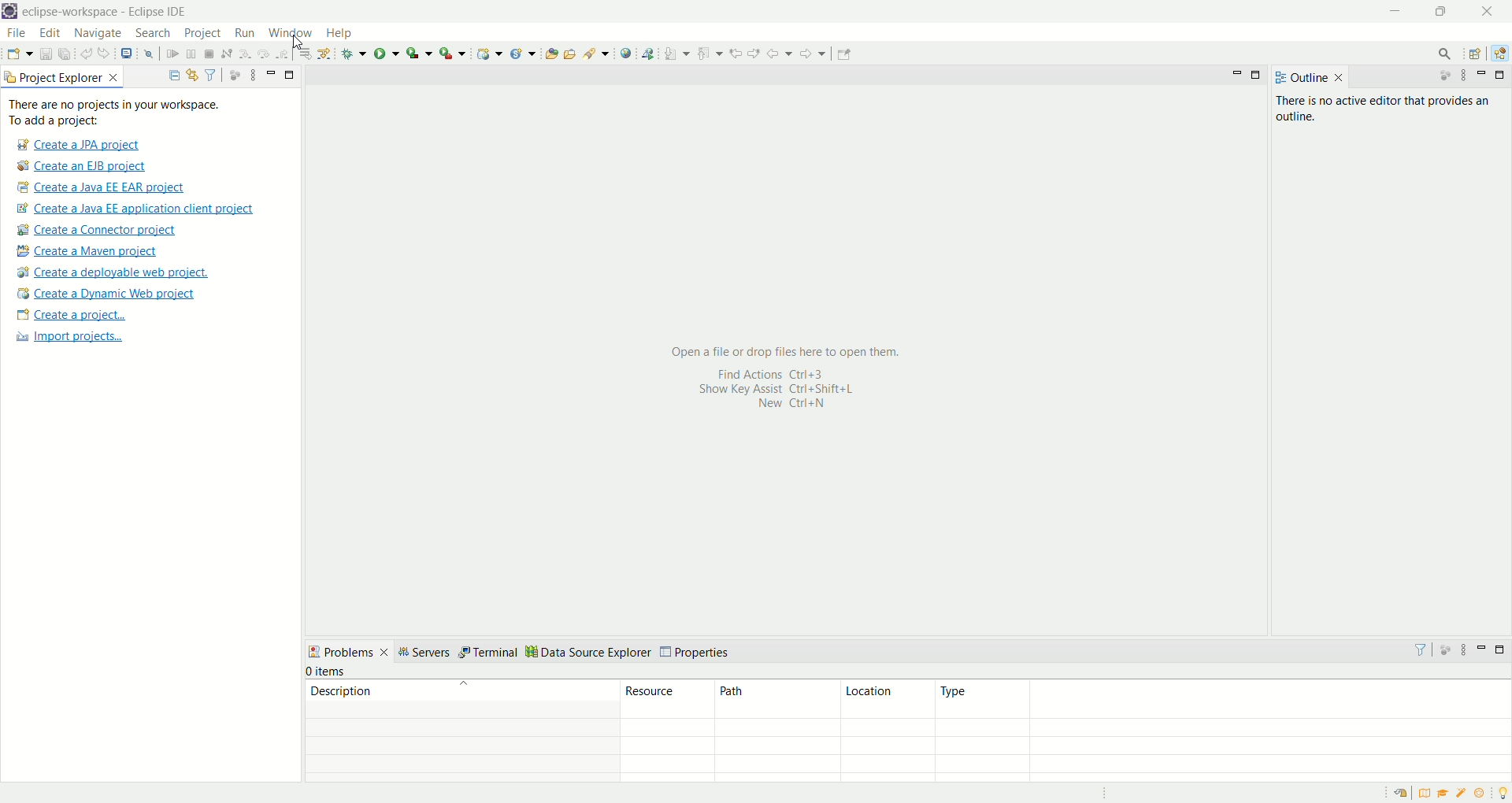 Image resolution: width=1512 pixels, height=803 pixels. Describe the element at coordinates (87, 54) in the screenshot. I see `undo` at that location.